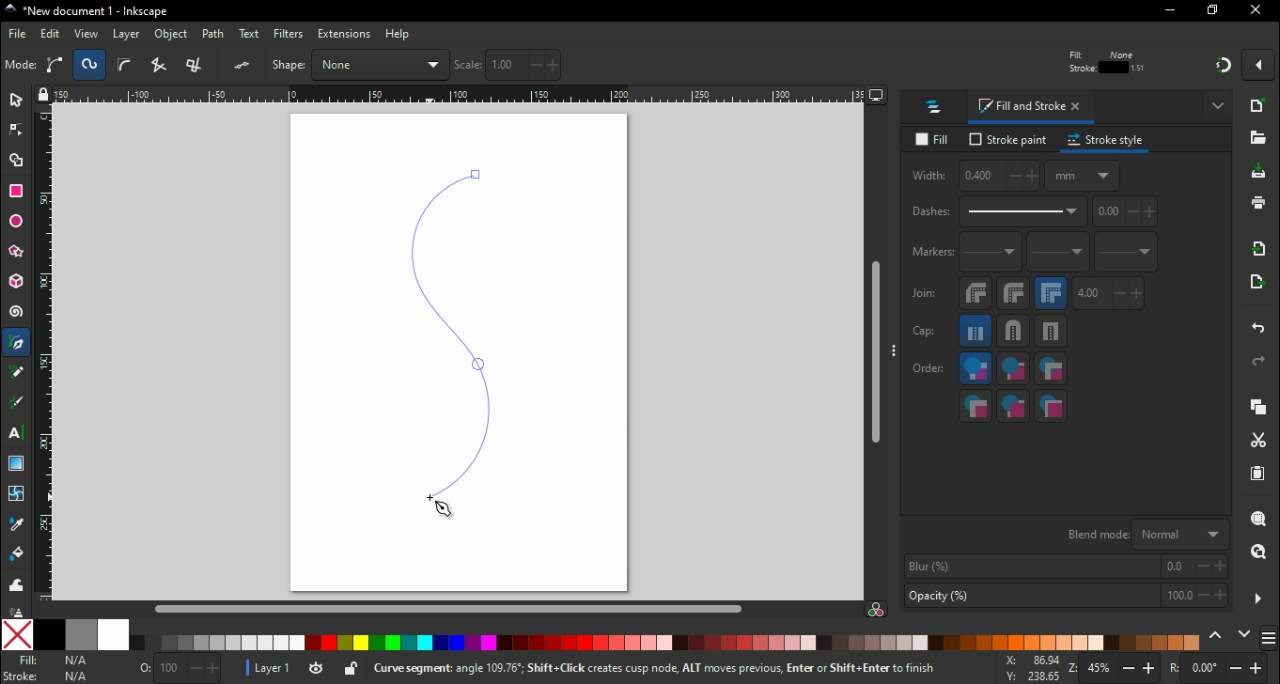 This screenshot has width=1280, height=684. I want to click on rectangle tool, so click(18, 191).